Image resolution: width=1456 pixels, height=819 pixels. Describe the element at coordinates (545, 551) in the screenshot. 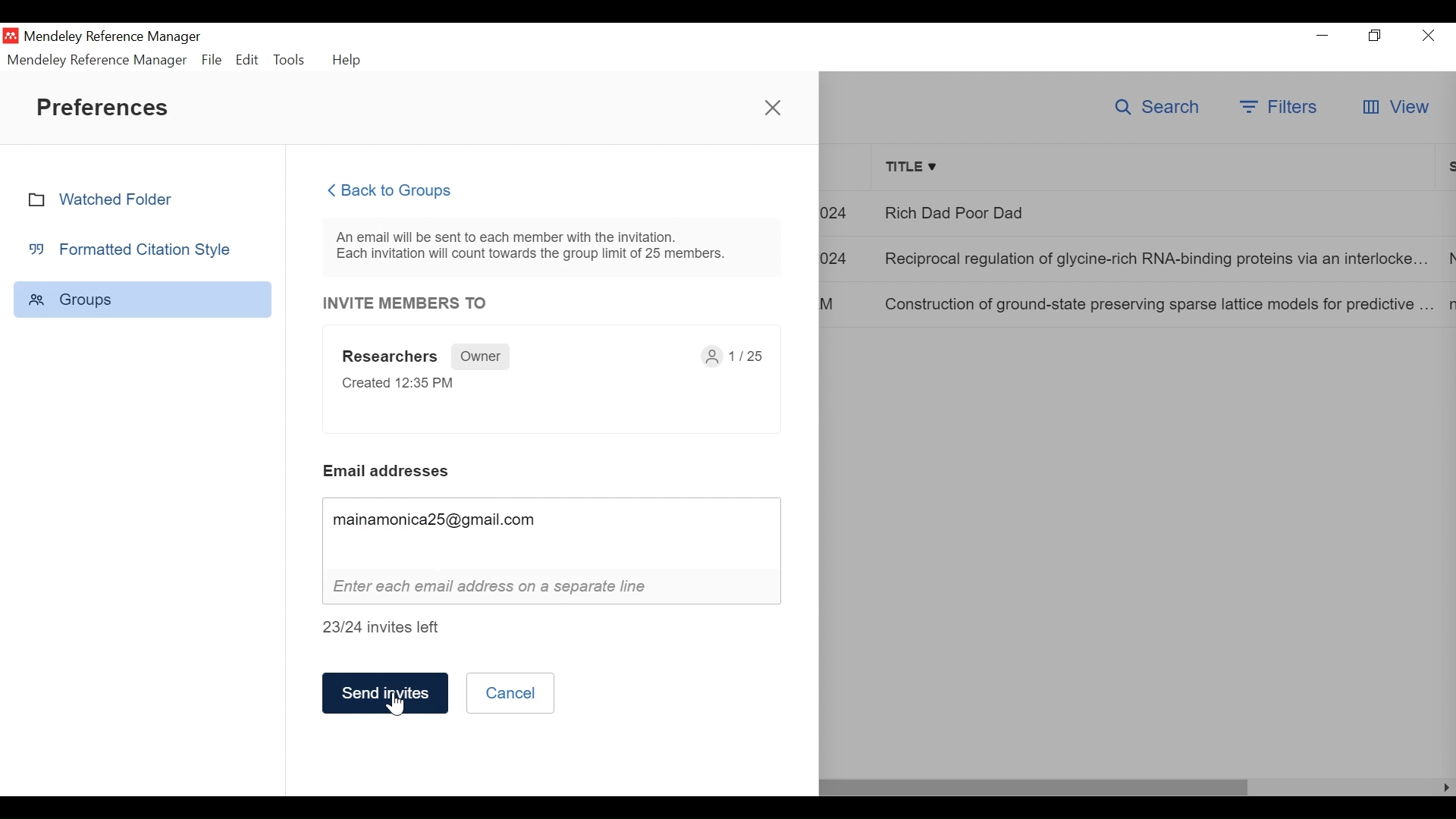

I see `mainamonica25@gmail.com
Enter each email address on a separate line` at that location.